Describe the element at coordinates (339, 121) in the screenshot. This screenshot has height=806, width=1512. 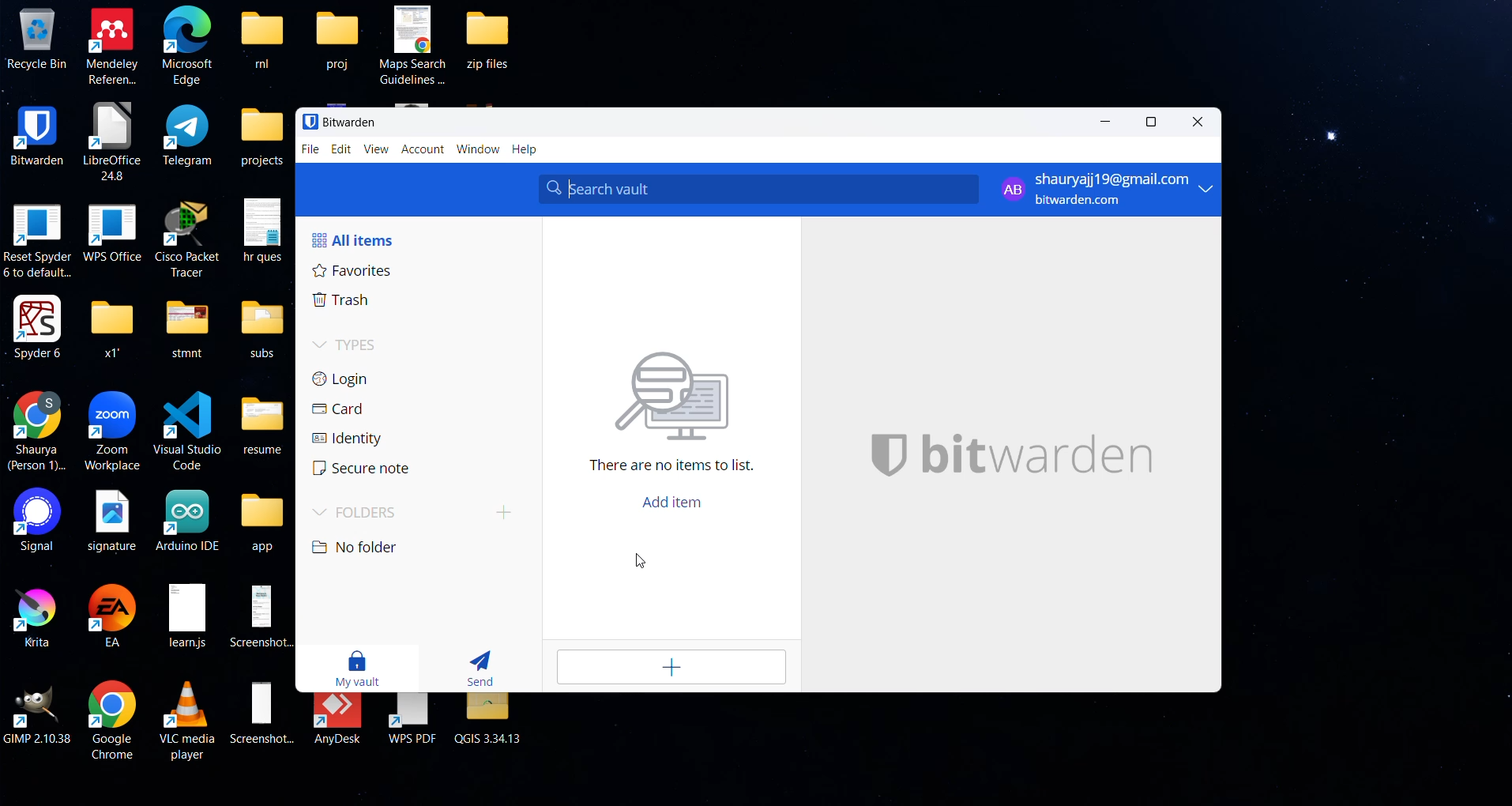
I see `Bitwarden` at that location.